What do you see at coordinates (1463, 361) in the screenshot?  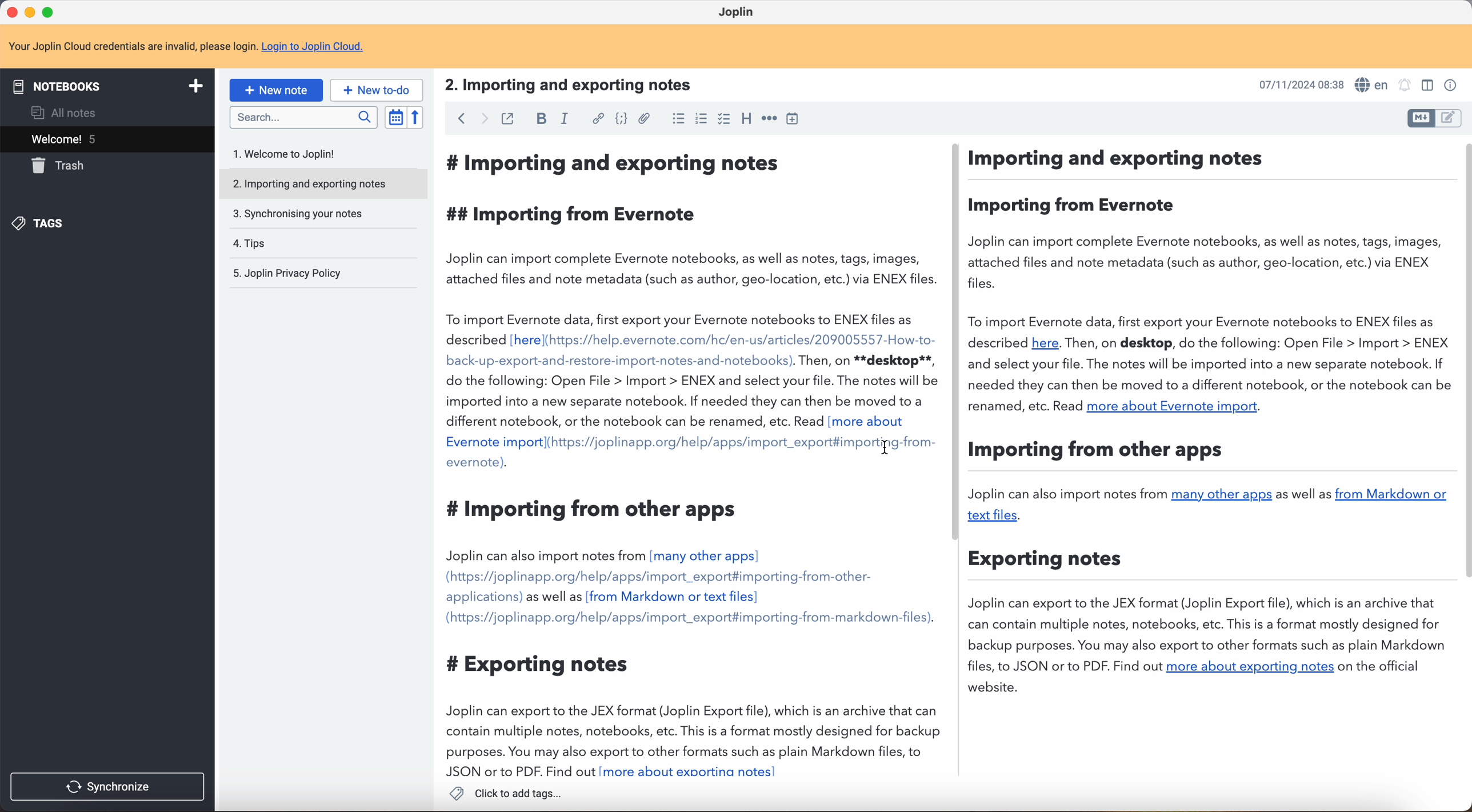 I see `scroll bar` at bounding box center [1463, 361].